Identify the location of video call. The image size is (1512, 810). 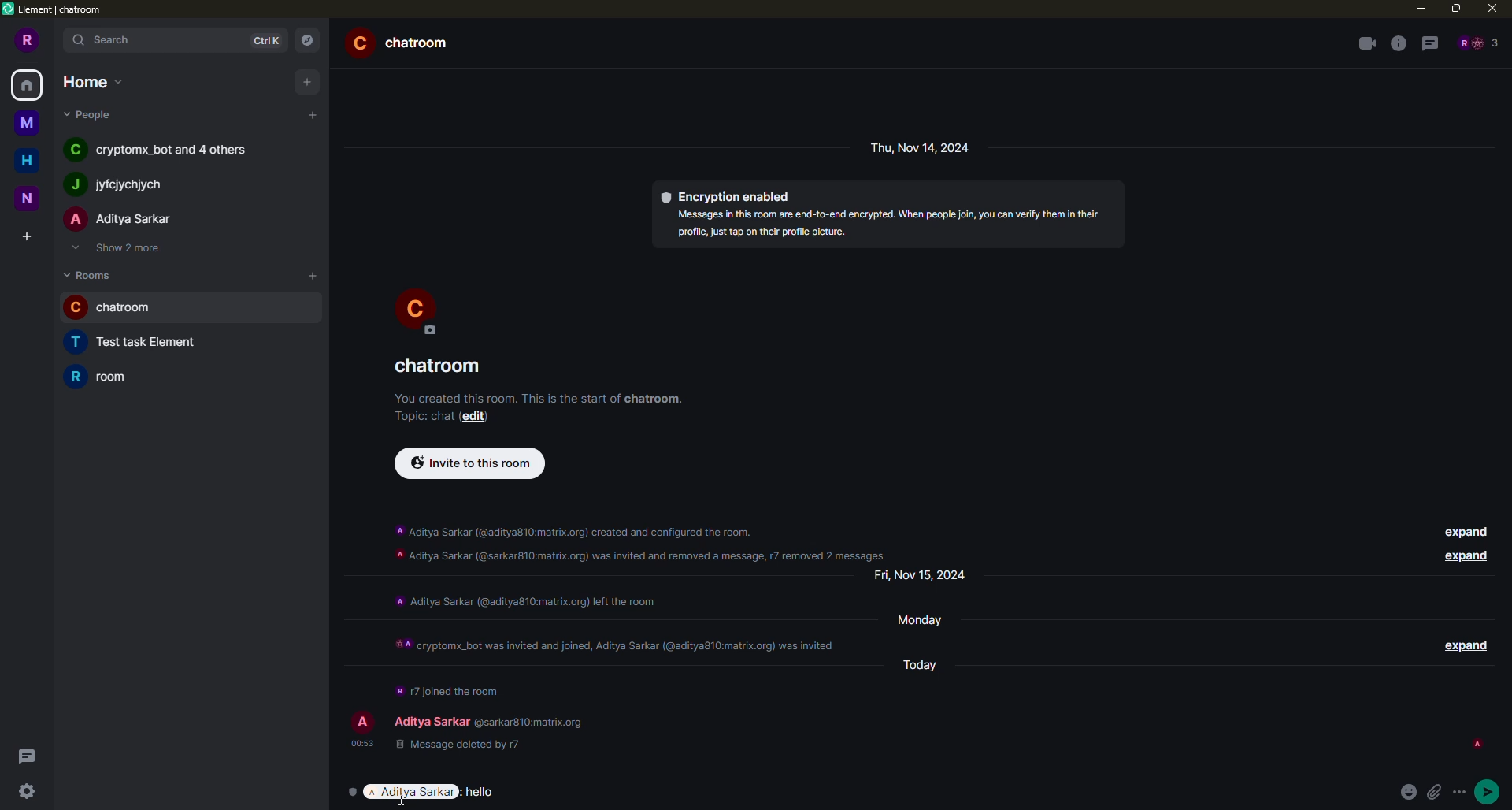
(1366, 43).